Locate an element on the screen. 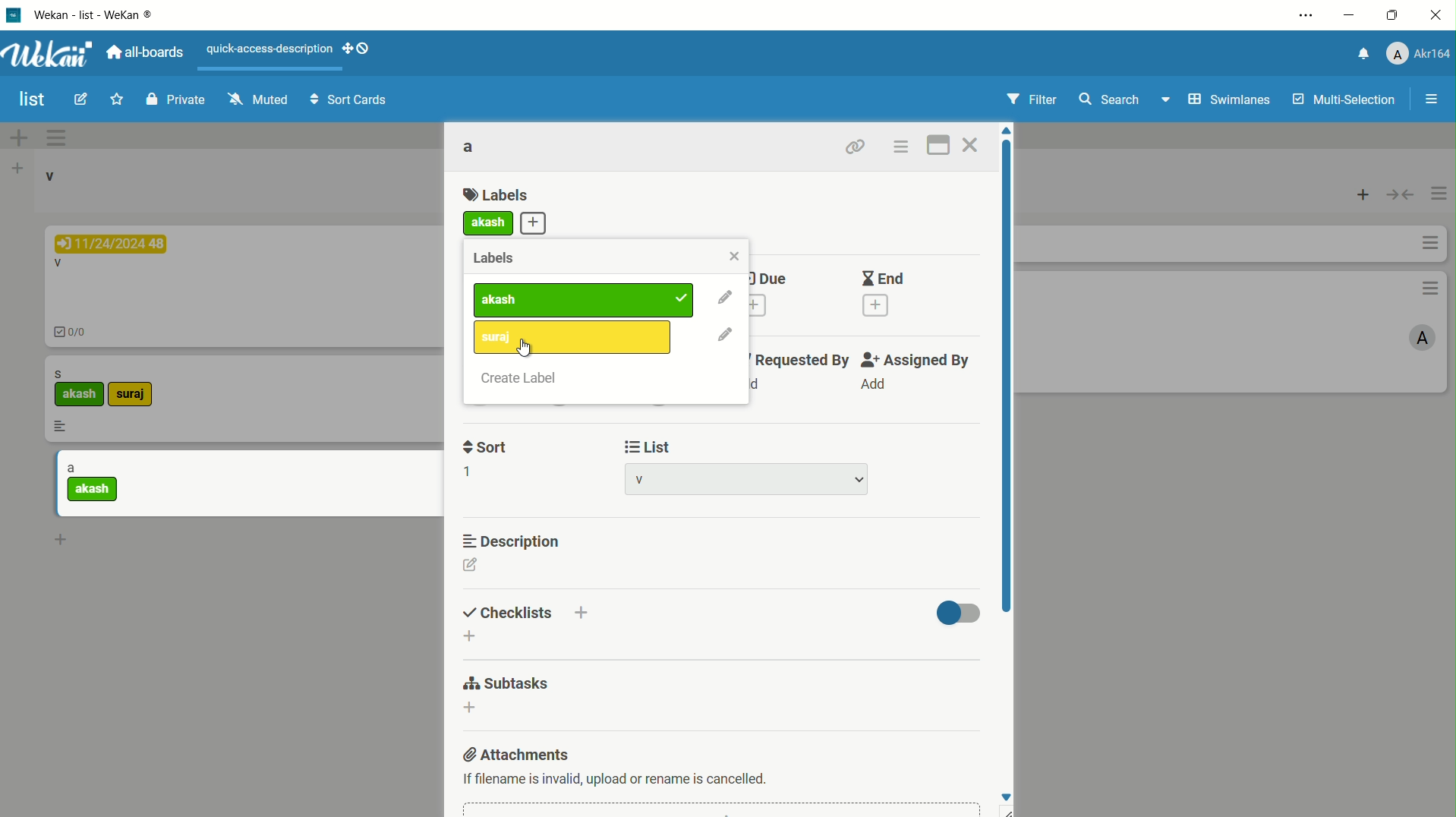  toggle button is located at coordinates (960, 611).